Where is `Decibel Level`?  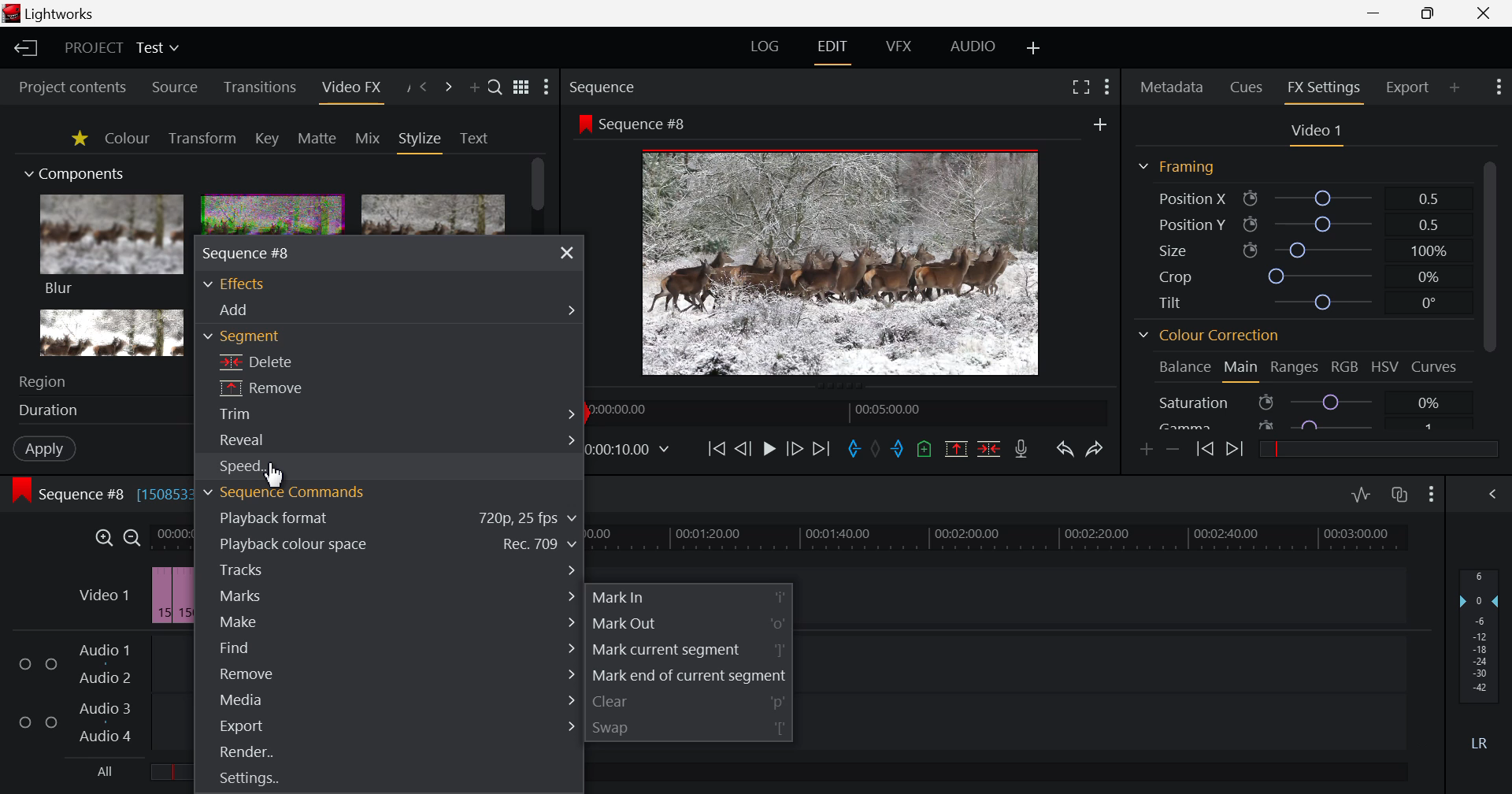
Decibel Level is located at coordinates (1480, 655).